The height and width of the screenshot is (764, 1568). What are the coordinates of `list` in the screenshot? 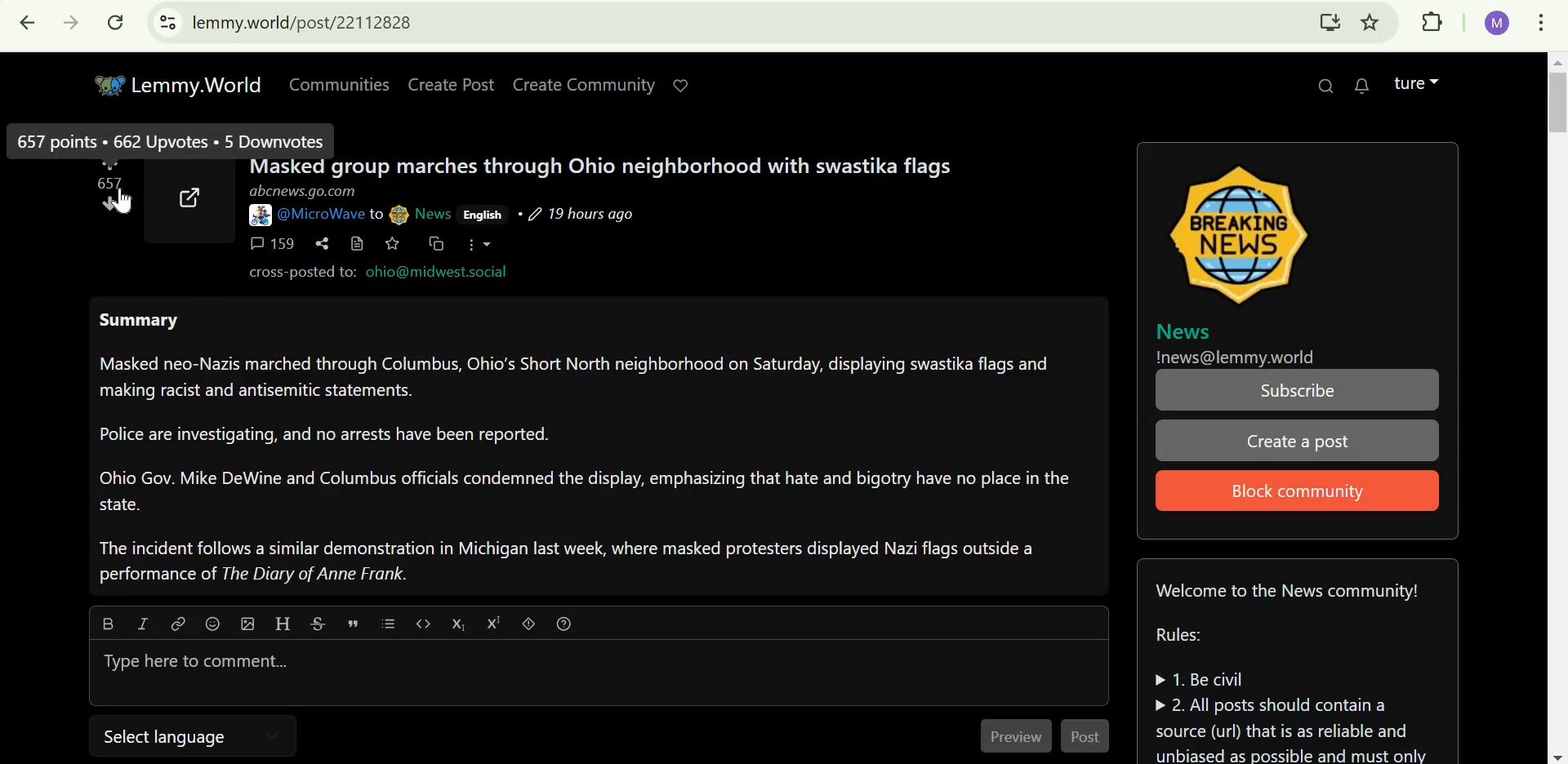 It's located at (390, 624).